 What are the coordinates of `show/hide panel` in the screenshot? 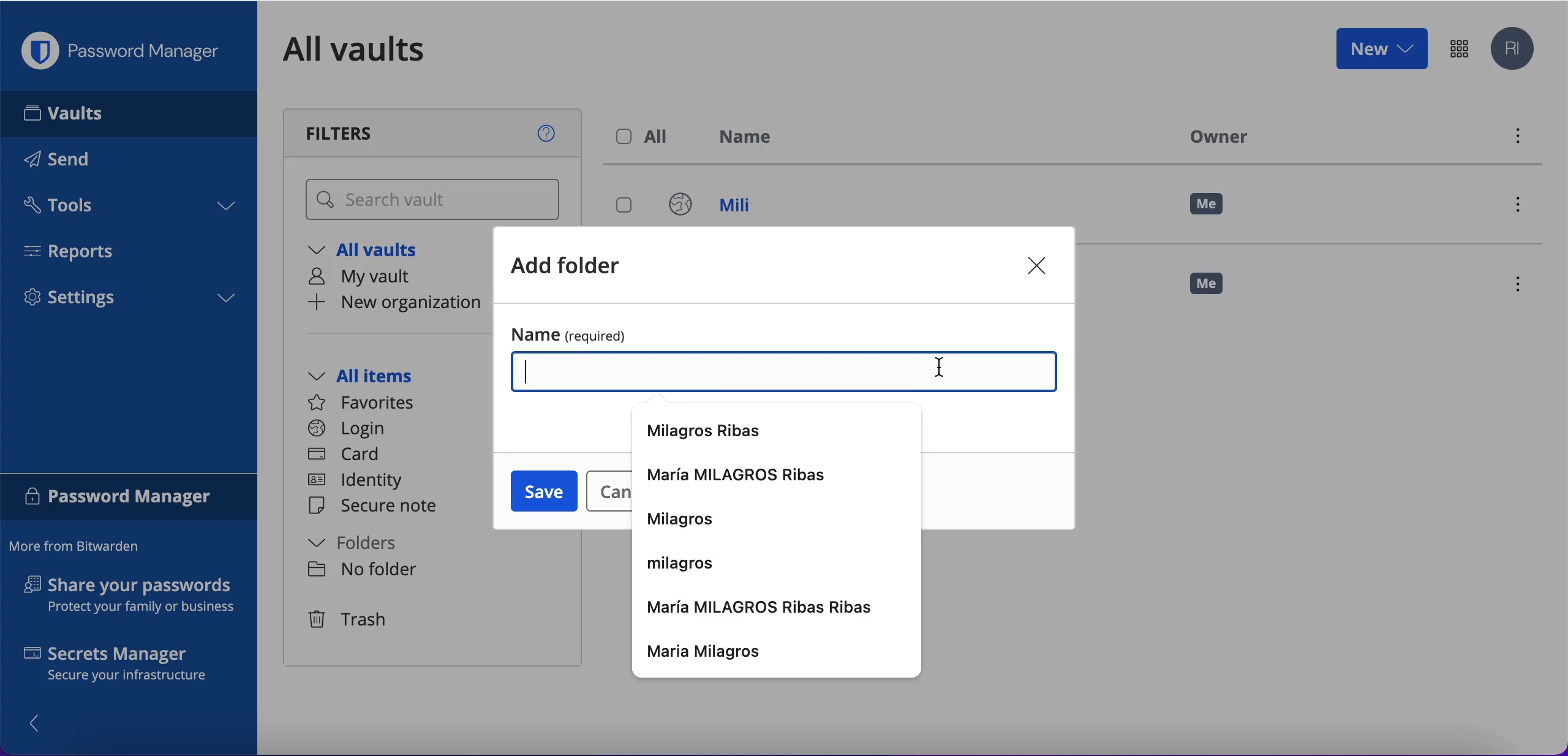 It's located at (41, 722).